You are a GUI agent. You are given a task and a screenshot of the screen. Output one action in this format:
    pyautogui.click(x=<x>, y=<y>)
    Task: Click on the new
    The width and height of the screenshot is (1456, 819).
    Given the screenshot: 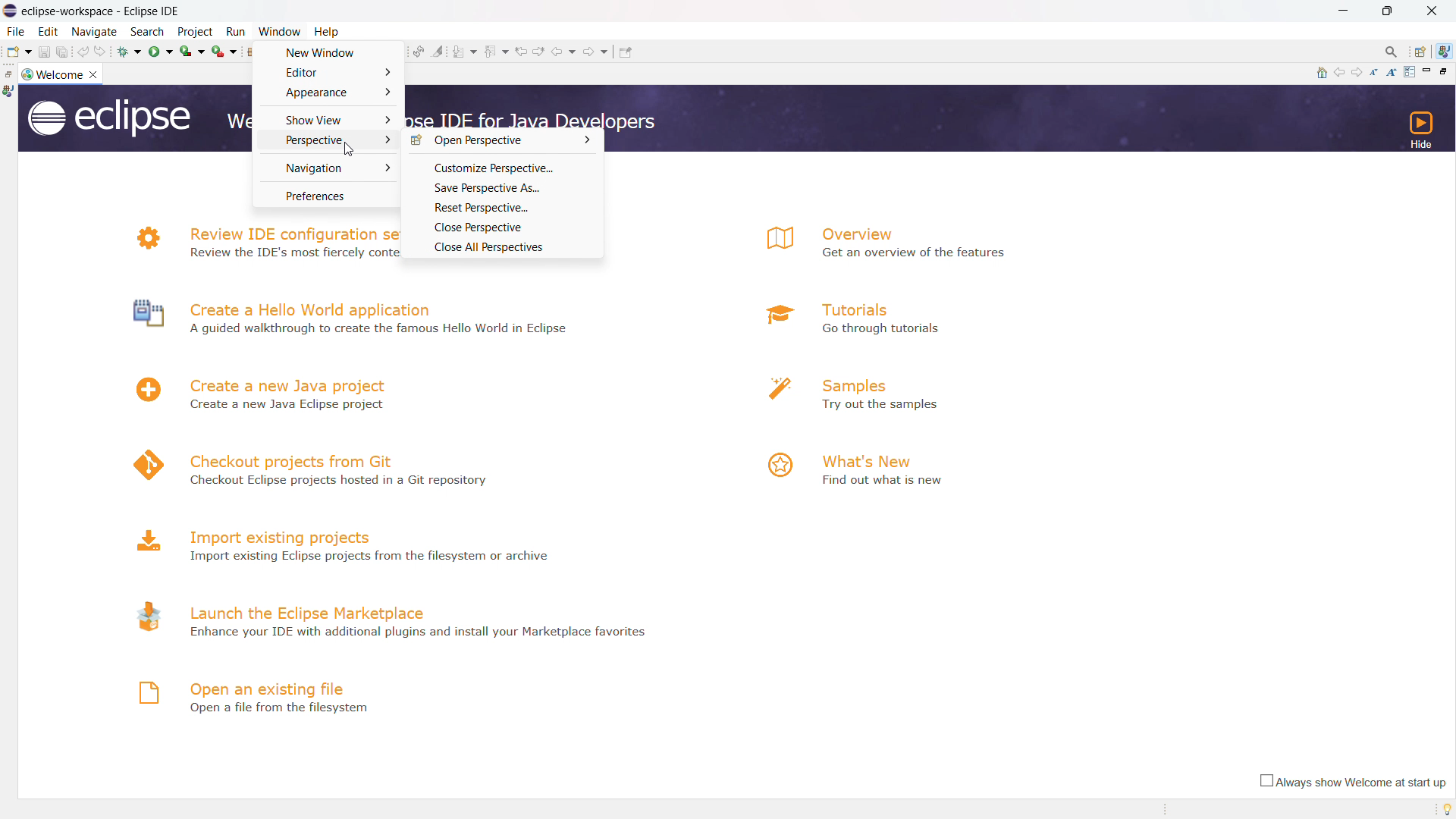 What is the action you would take?
    pyautogui.click(x=18, y=52)
    